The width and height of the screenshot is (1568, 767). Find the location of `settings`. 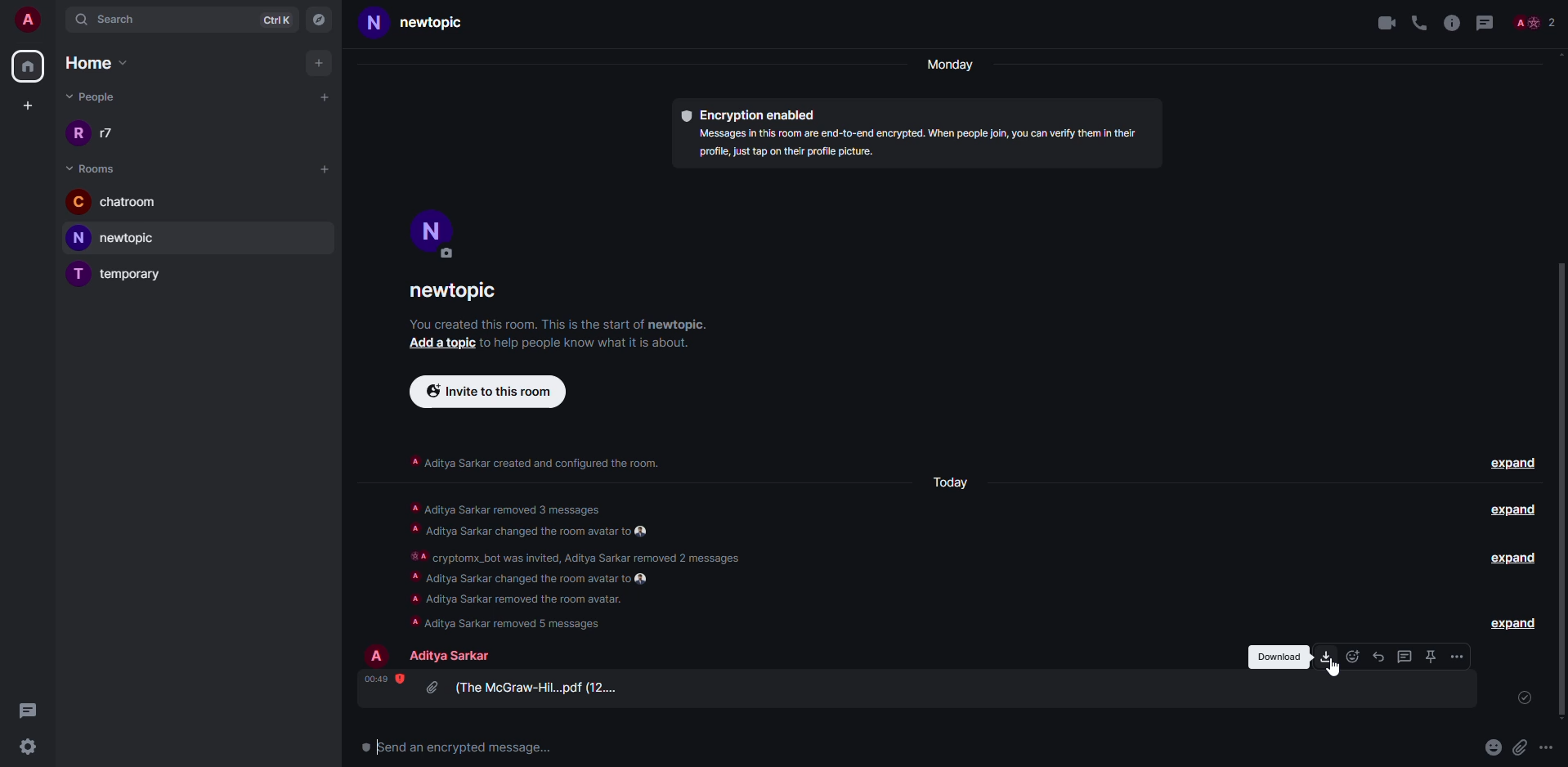

settings is located at coordinates (32, 750).